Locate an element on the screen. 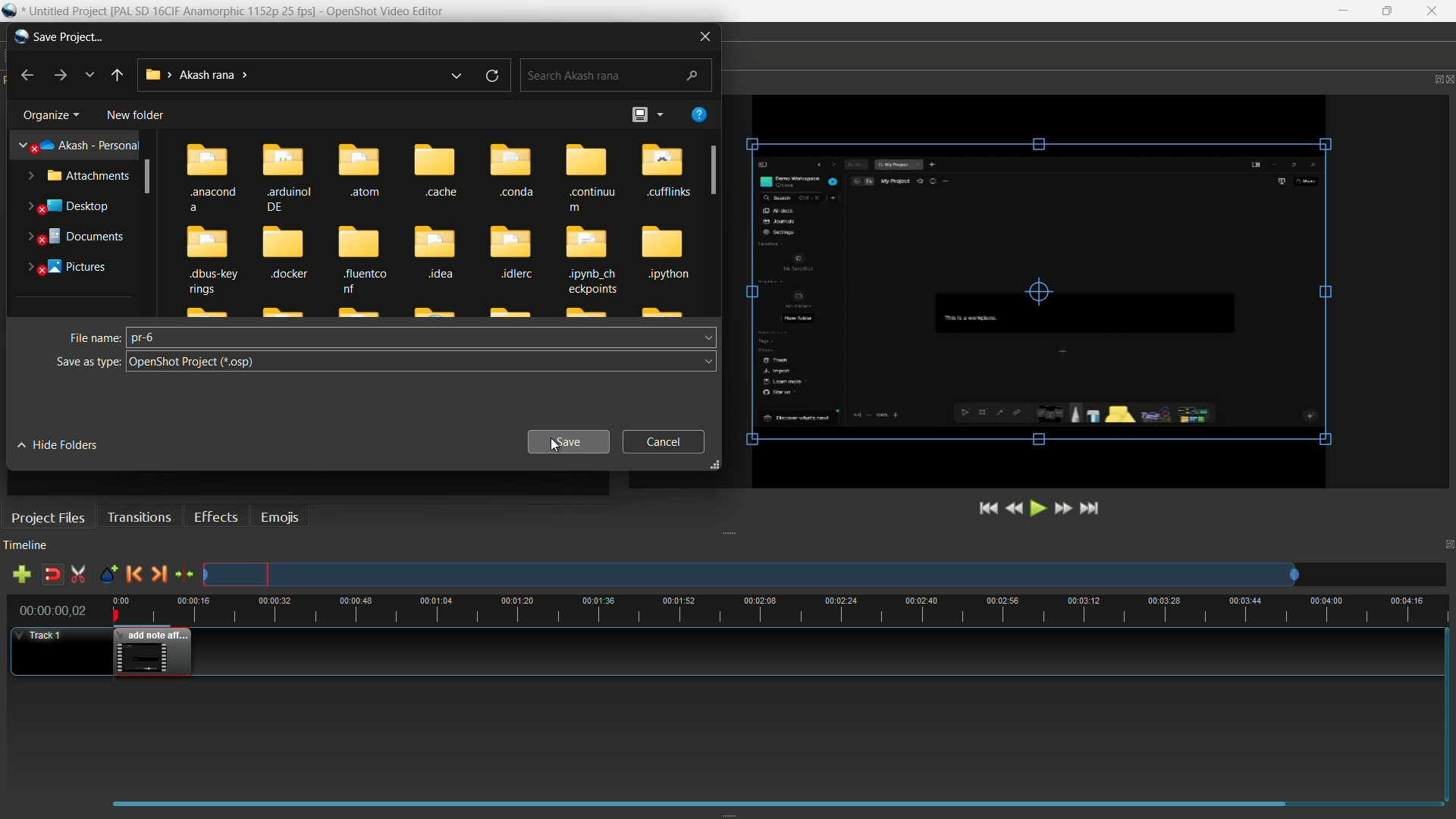 The width and height of the screenshot is (1456, 819). get help is located at coordinates (698, 115).